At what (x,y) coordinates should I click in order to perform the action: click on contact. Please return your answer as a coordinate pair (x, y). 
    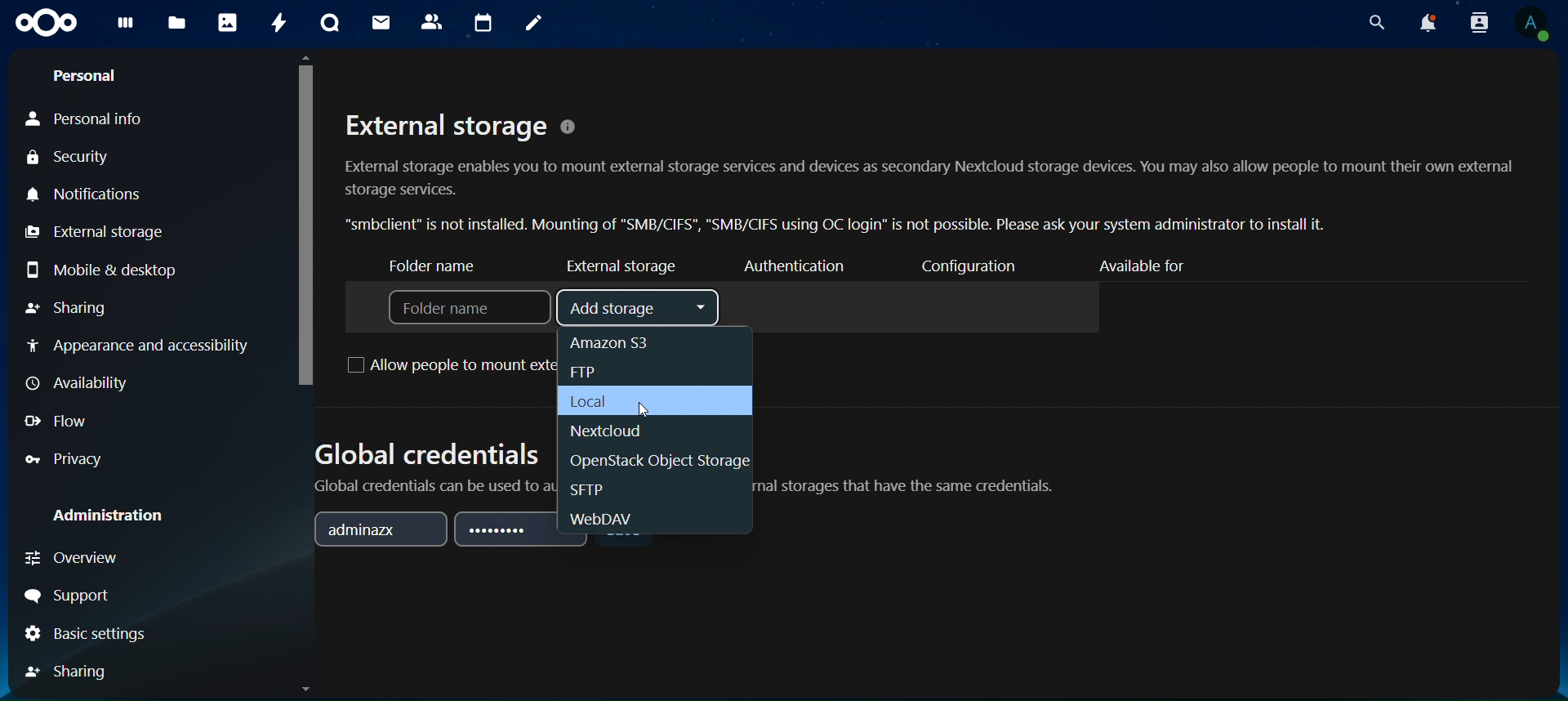
    Looking at the image, I should click on (433, 22).